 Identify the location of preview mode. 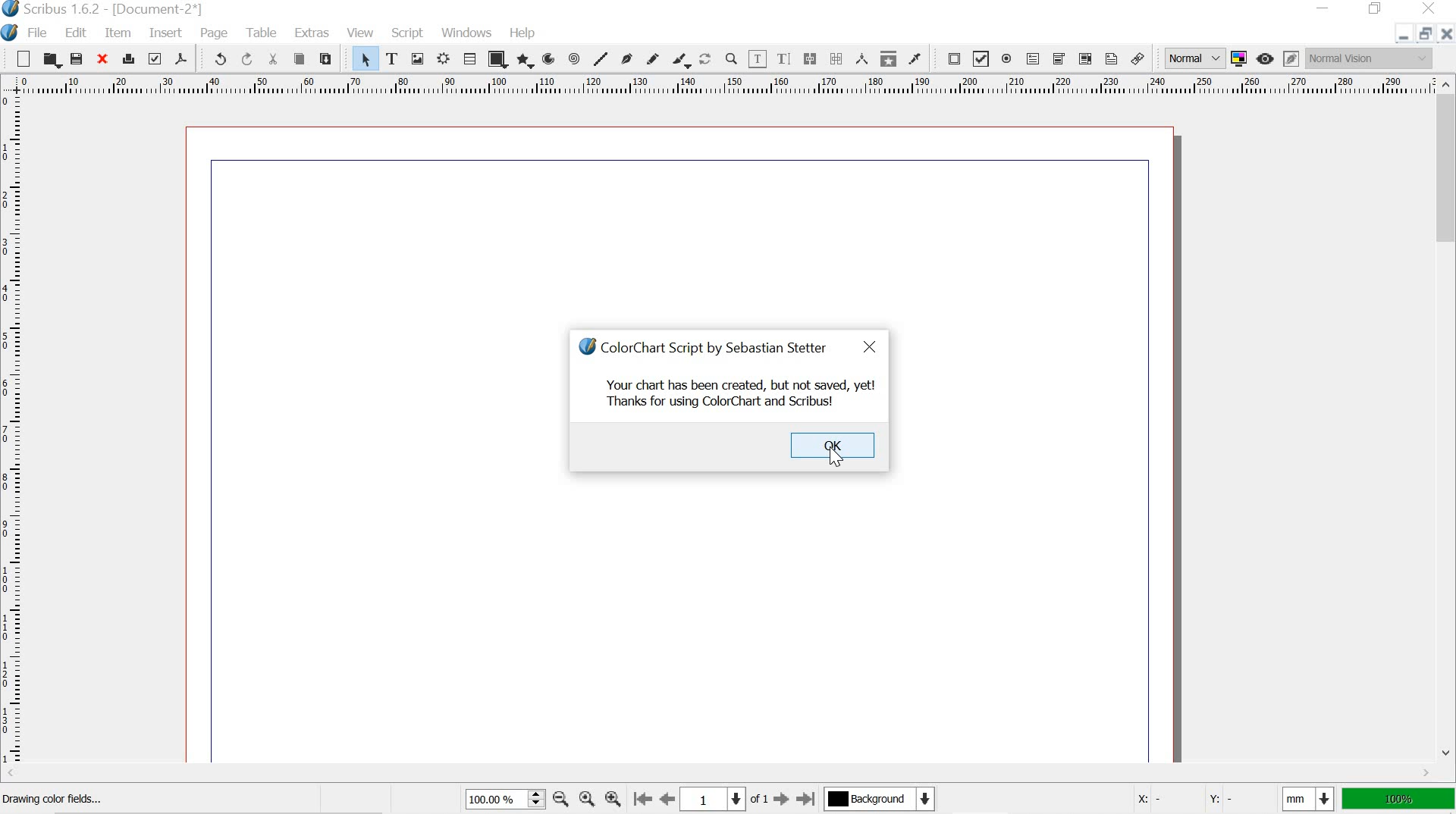
(1267, 58).